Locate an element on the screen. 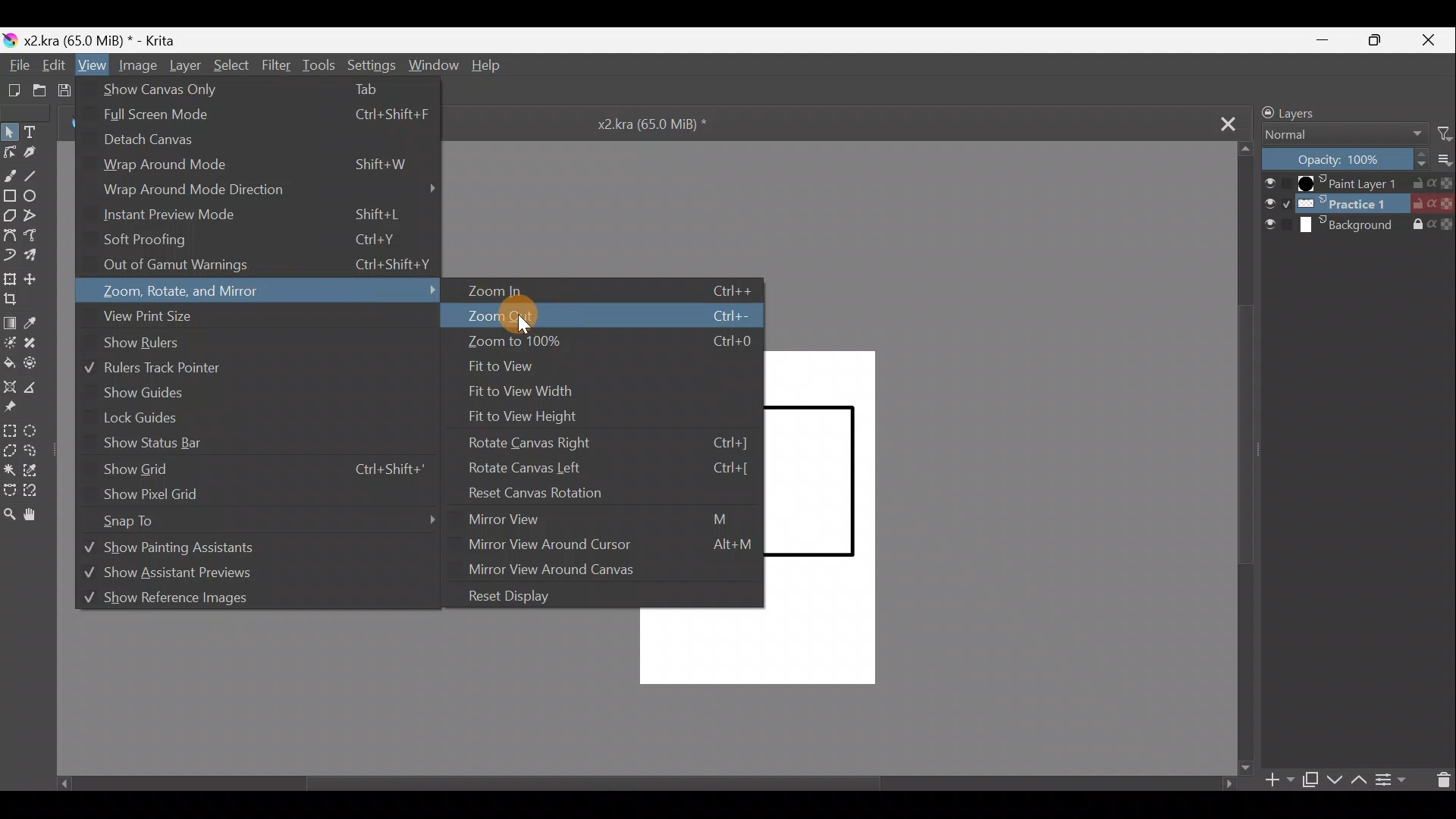  Rotate canvas left is located at coordinates (604, 467).